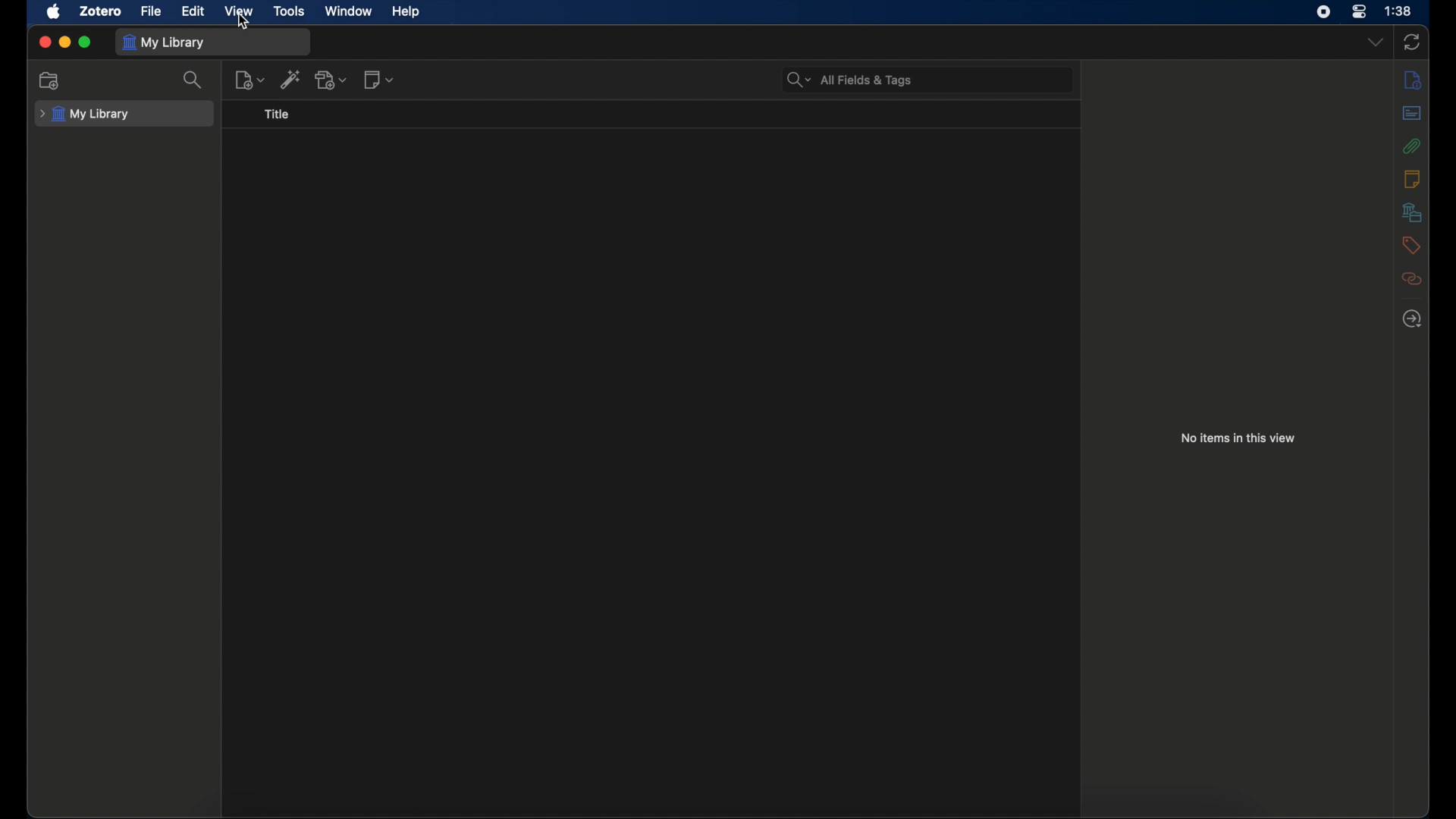 The height and width of the screenshot is (819, 1456). I want to click on related, so click(1412, 278).